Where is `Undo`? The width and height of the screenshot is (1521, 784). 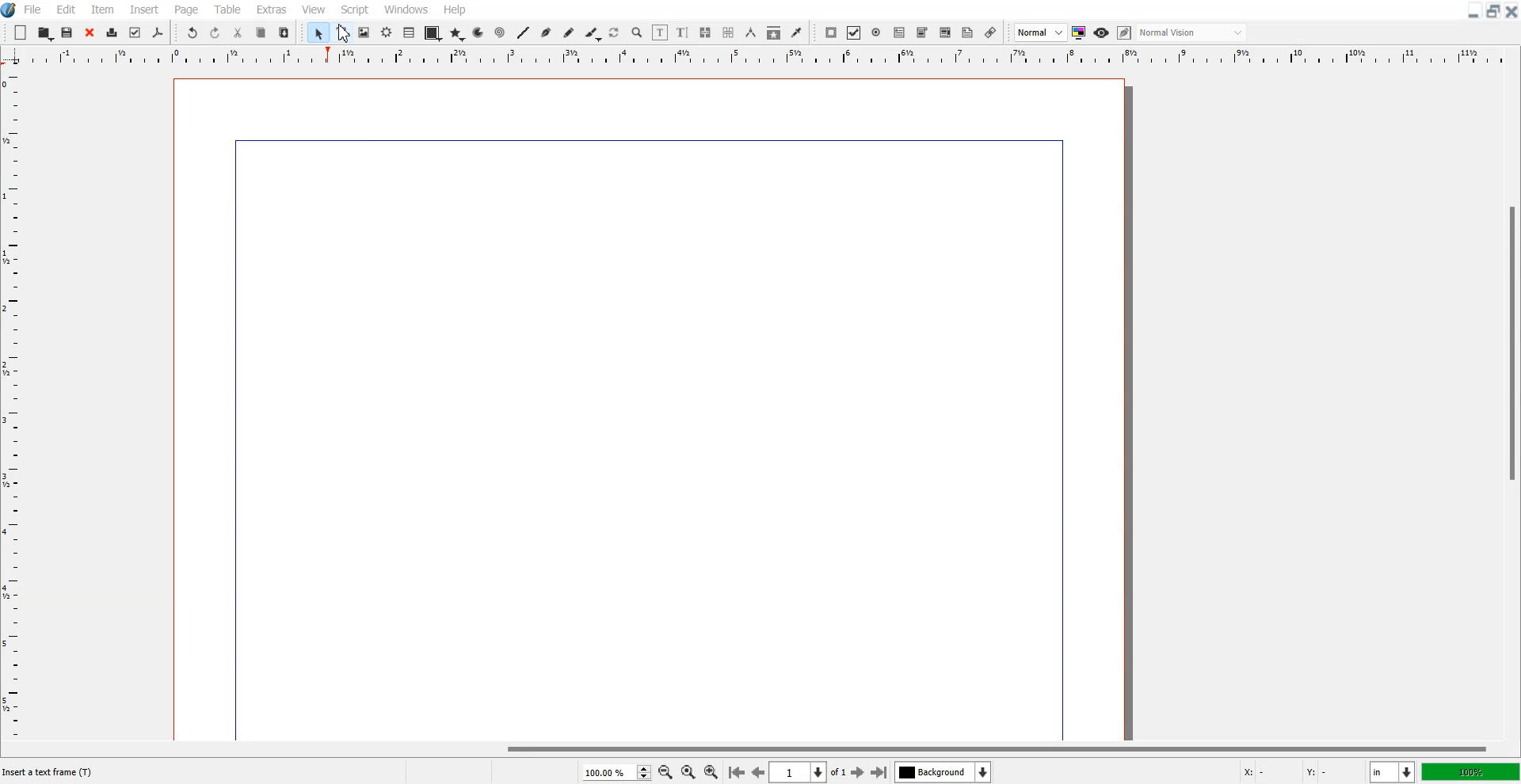 Undo is located at coordinates (192, 33).